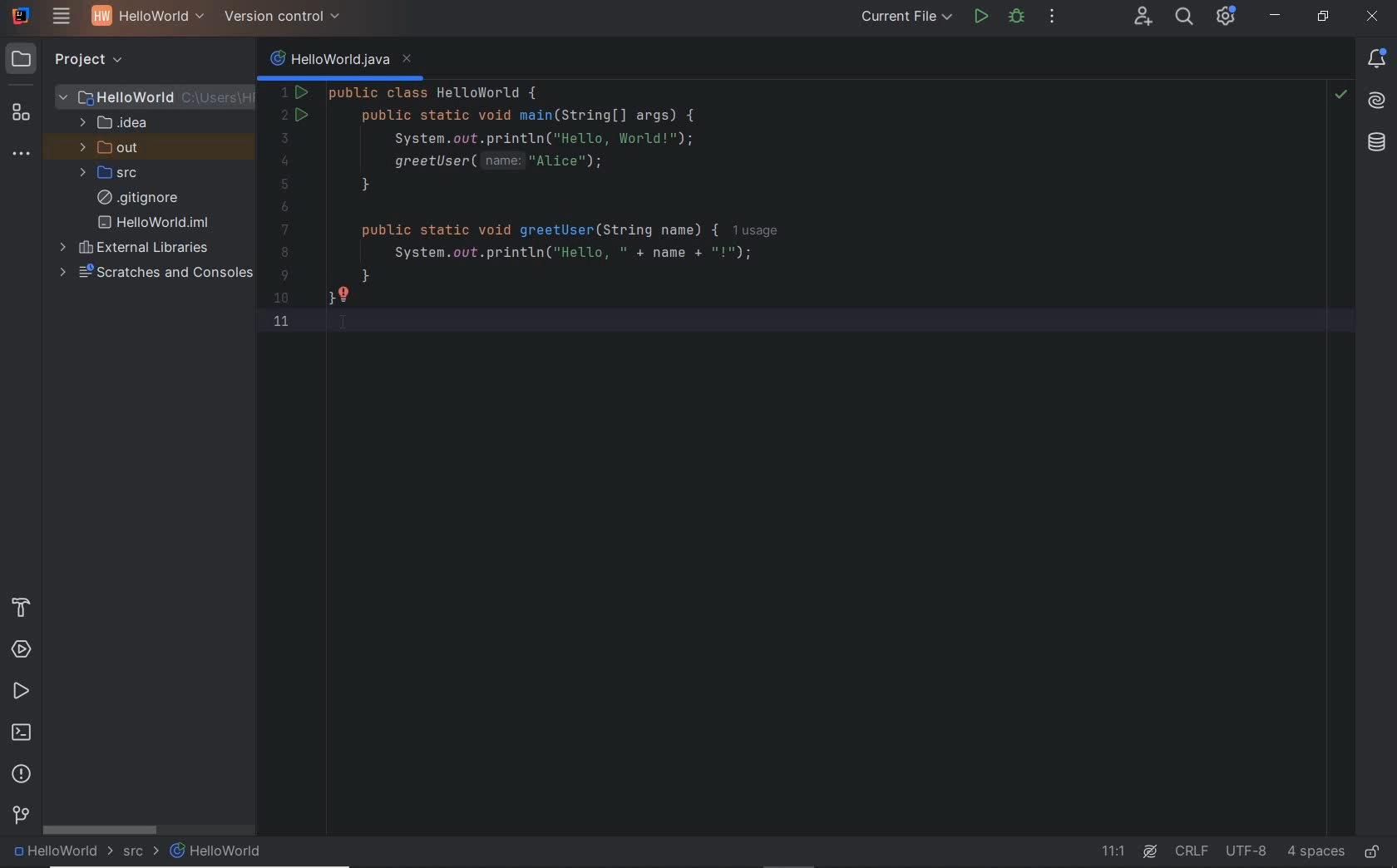  I want to click on search, so click(1186, 17).